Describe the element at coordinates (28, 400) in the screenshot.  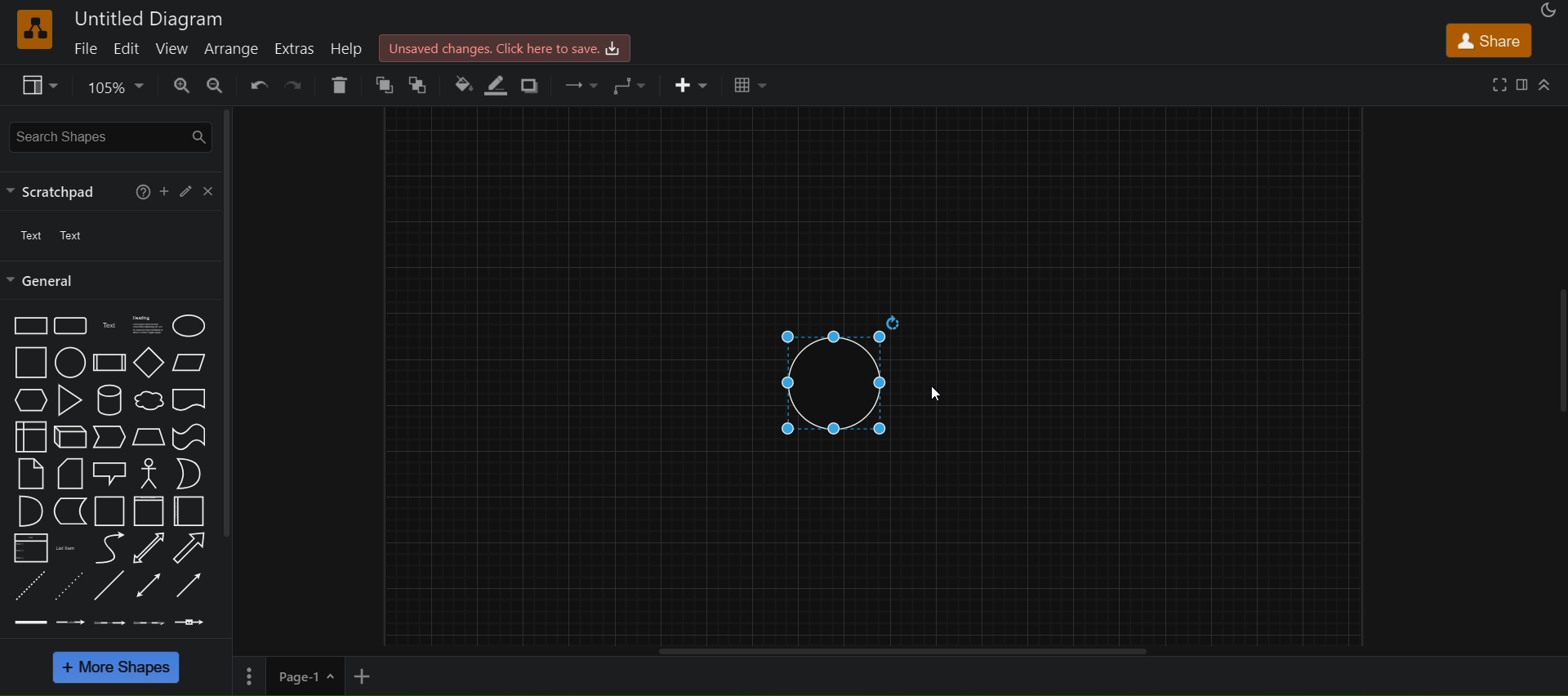
I see `hexagon` at that location.